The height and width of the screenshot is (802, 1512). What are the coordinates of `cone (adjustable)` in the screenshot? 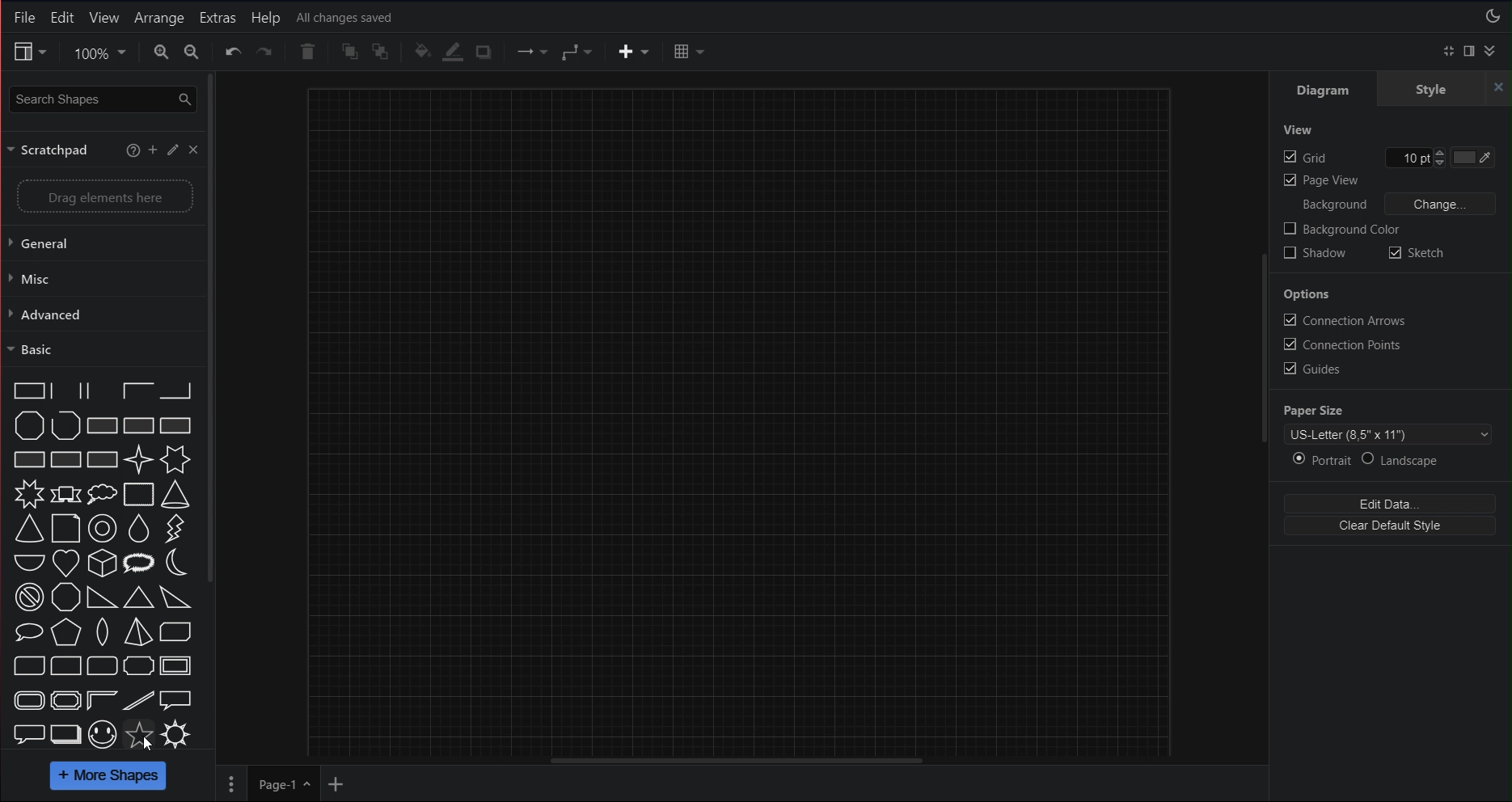 It's located at (30, 530).